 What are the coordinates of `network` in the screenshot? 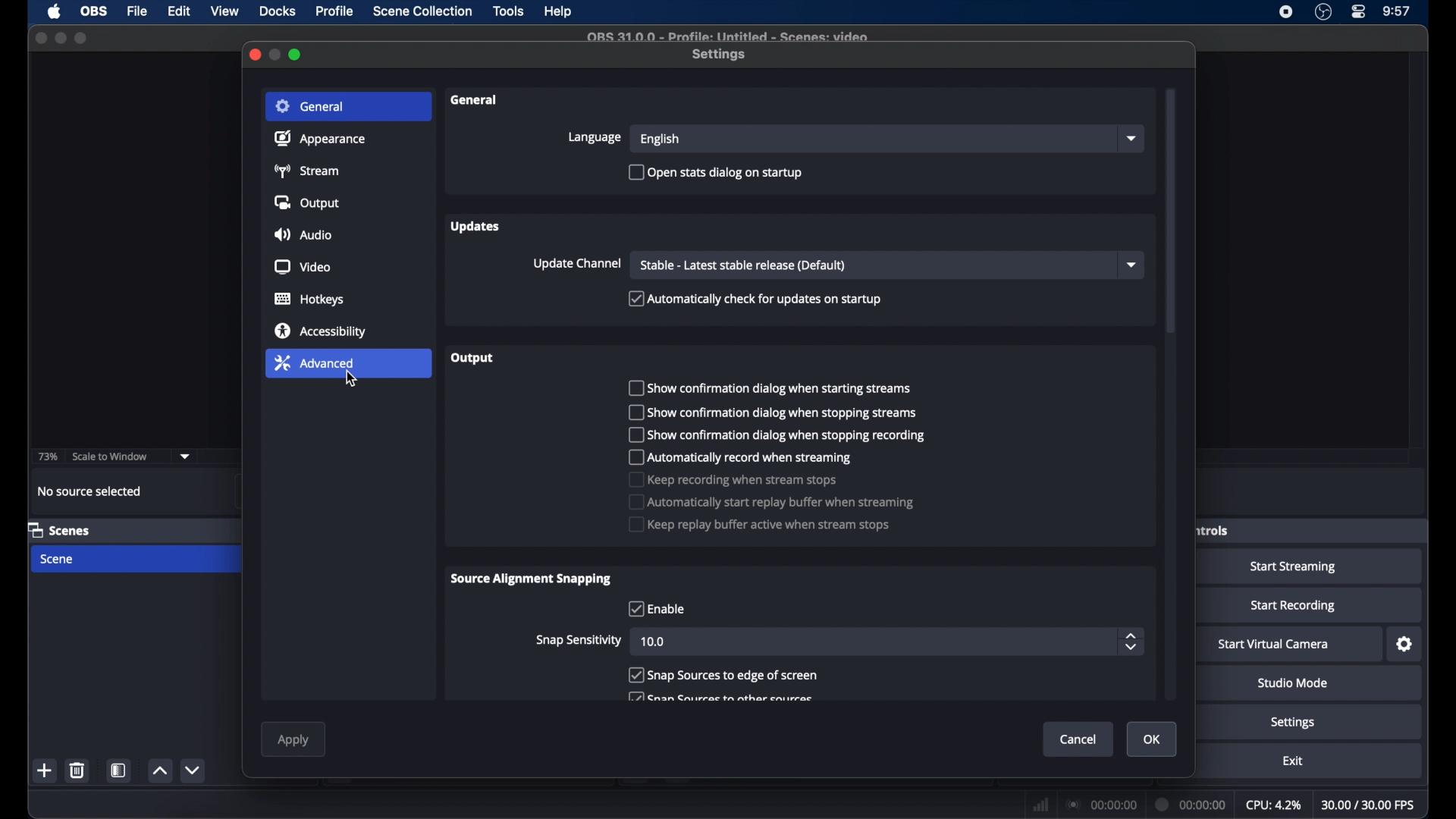 It's located at (1041, 804).